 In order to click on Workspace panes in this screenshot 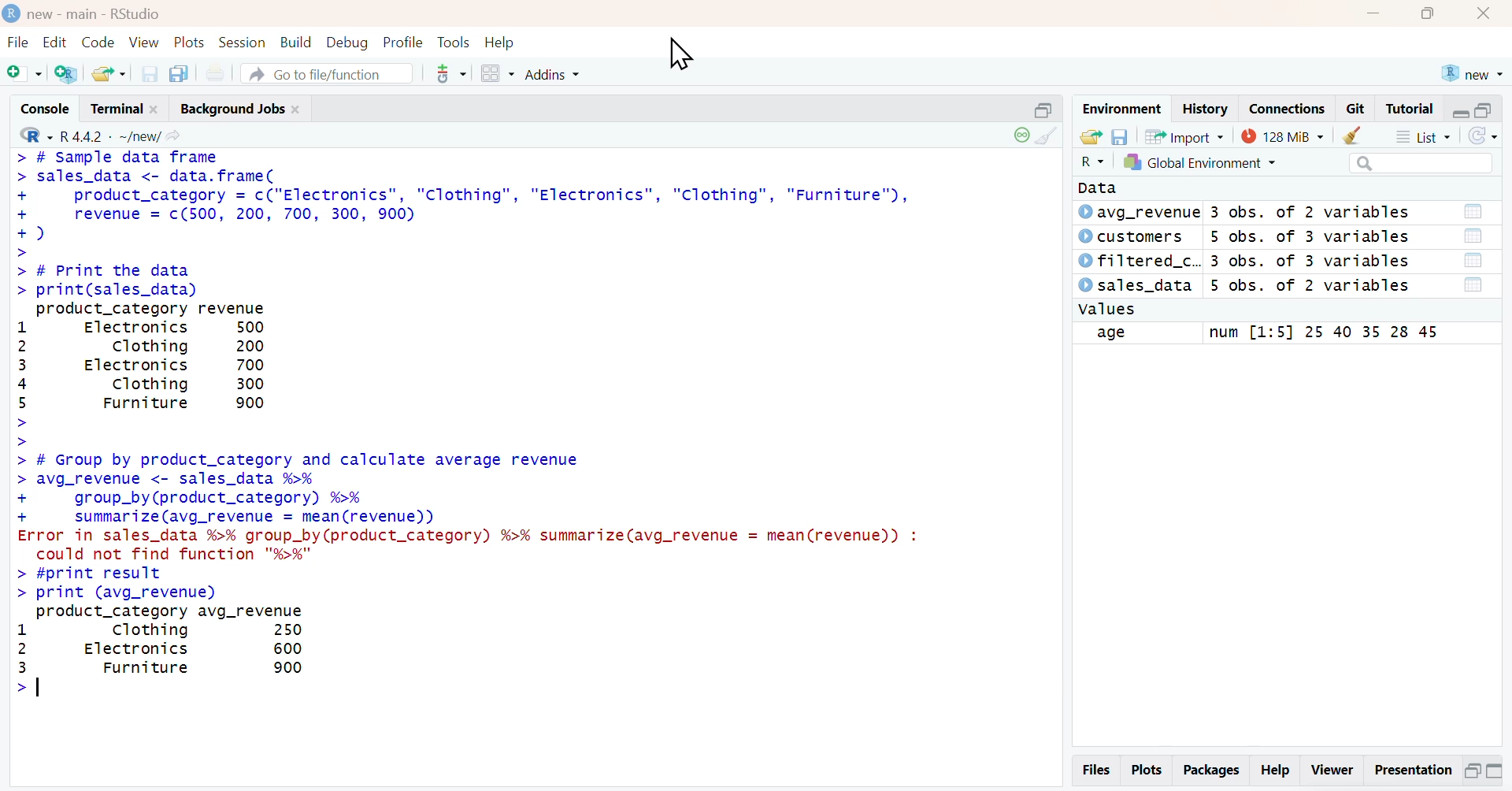, I will do `click(495, 74)`.